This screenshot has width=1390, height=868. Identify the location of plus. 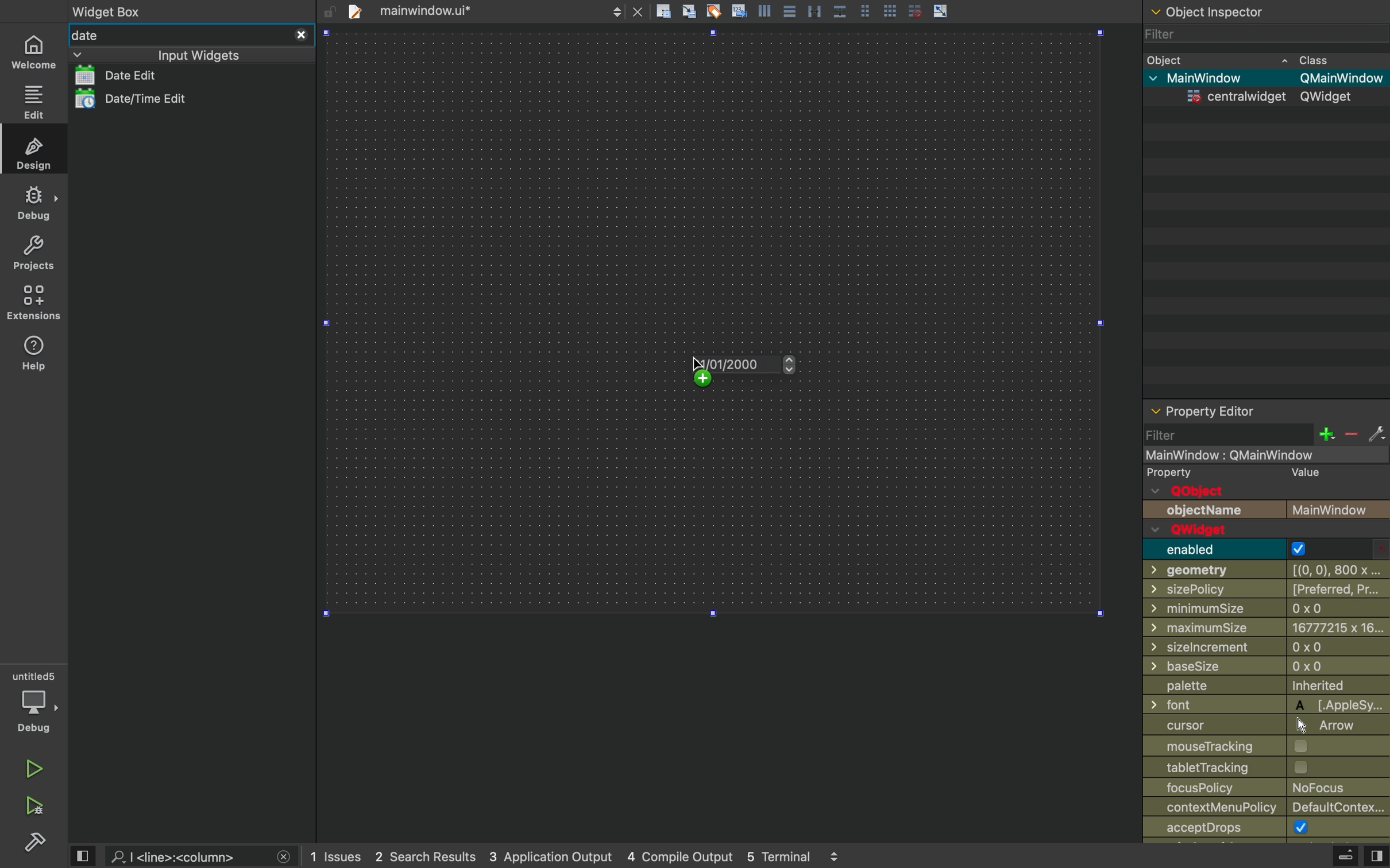
(1326, 434).